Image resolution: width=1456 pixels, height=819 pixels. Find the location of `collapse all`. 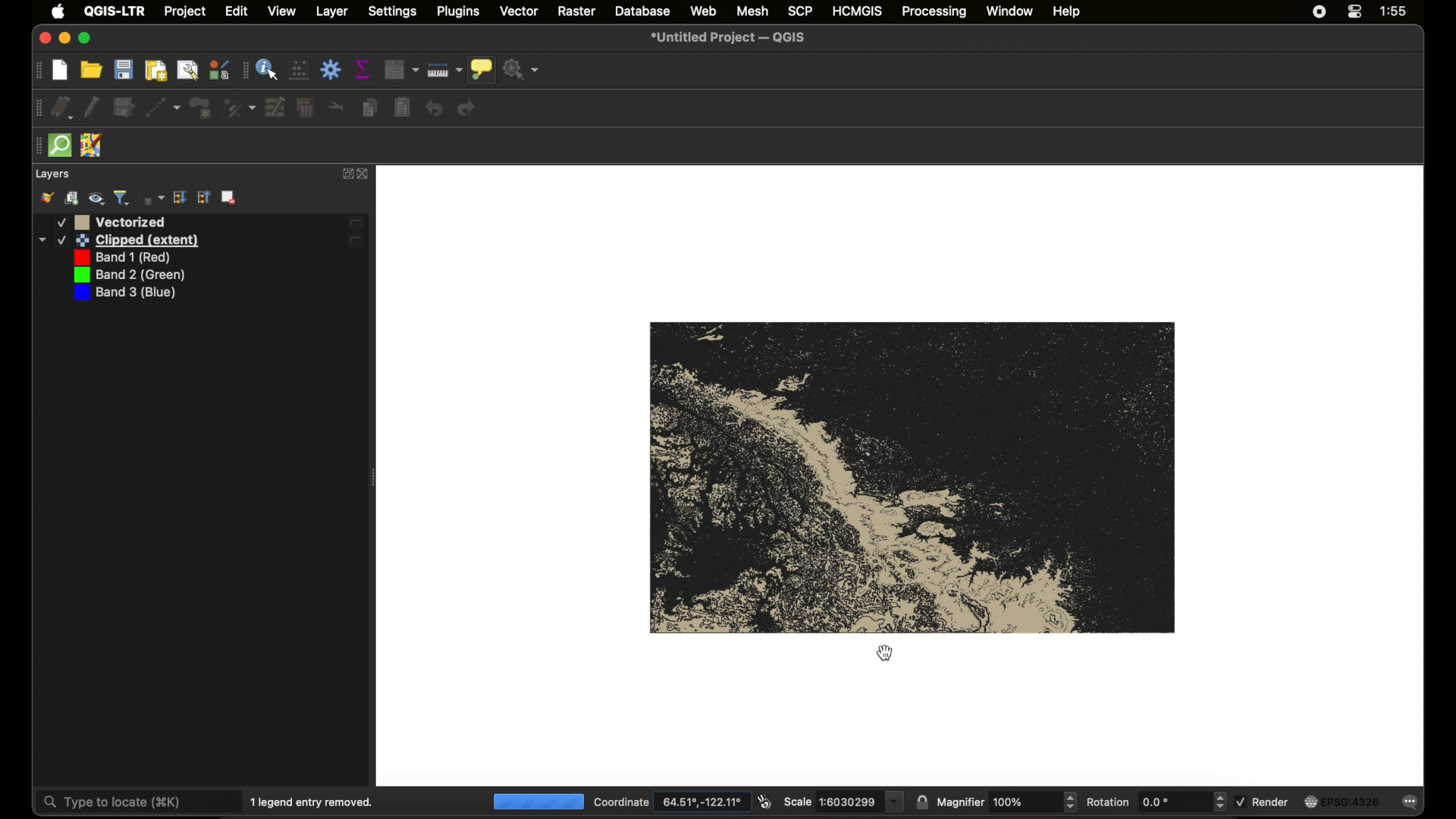

collapse all is located at coordinates (180, 197).